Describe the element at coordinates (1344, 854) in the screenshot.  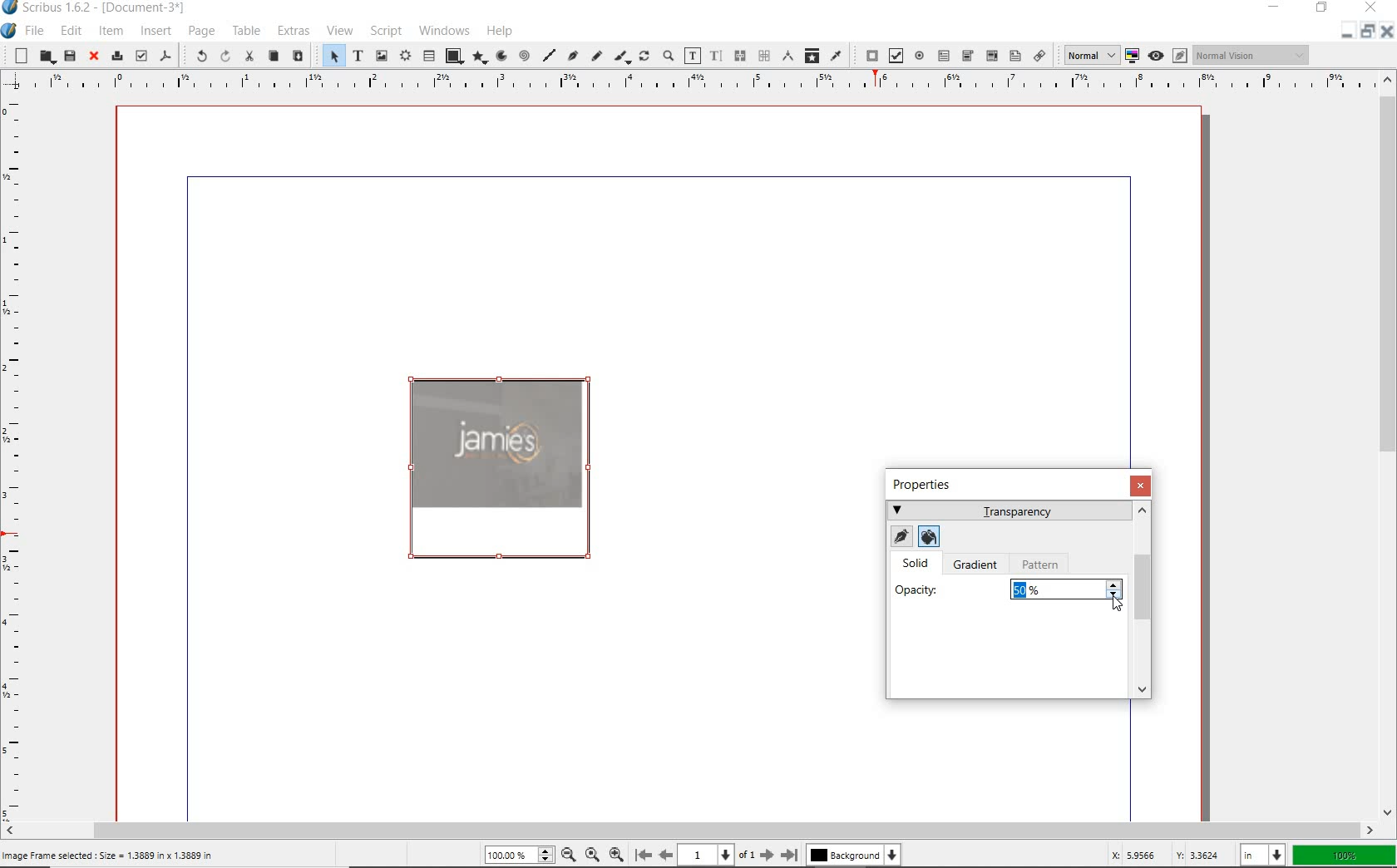
I see `zoom factor` at that location.